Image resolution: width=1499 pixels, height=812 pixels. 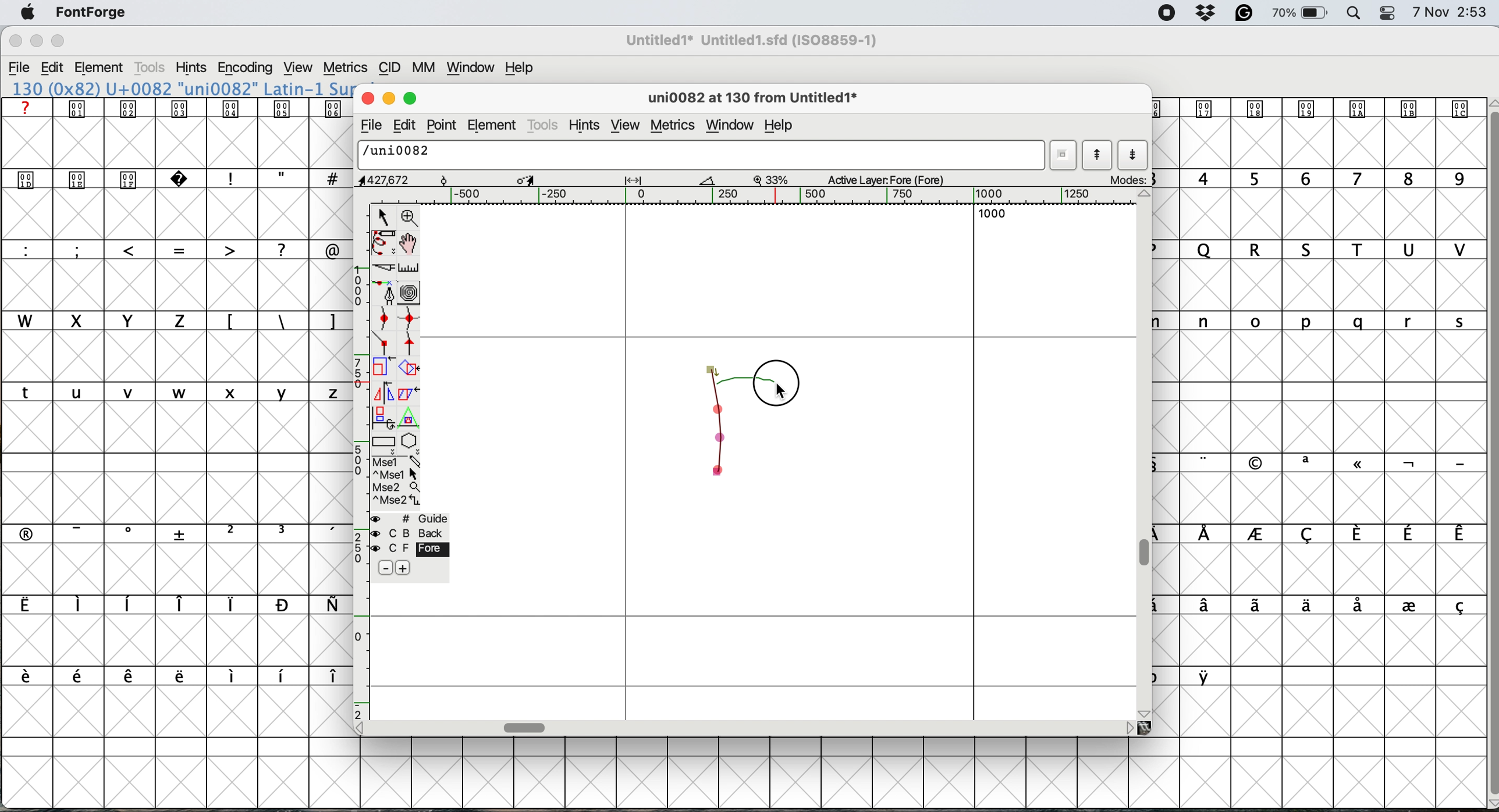 What do you see at coordinates (15, 42) in the screenshot?
I see `close` at bounding box center [15, 42].